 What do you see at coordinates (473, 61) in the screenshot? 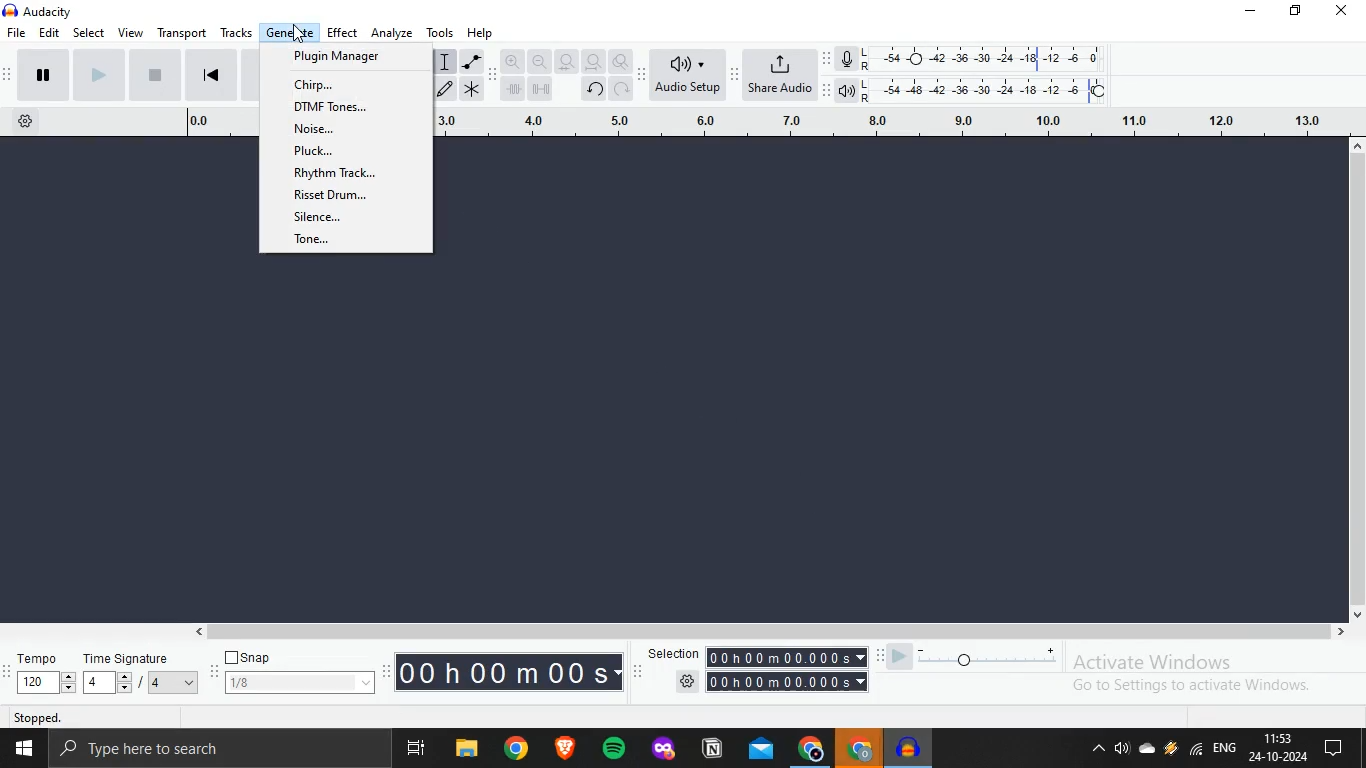
I see `Italic` at bounding box center [473, 61].